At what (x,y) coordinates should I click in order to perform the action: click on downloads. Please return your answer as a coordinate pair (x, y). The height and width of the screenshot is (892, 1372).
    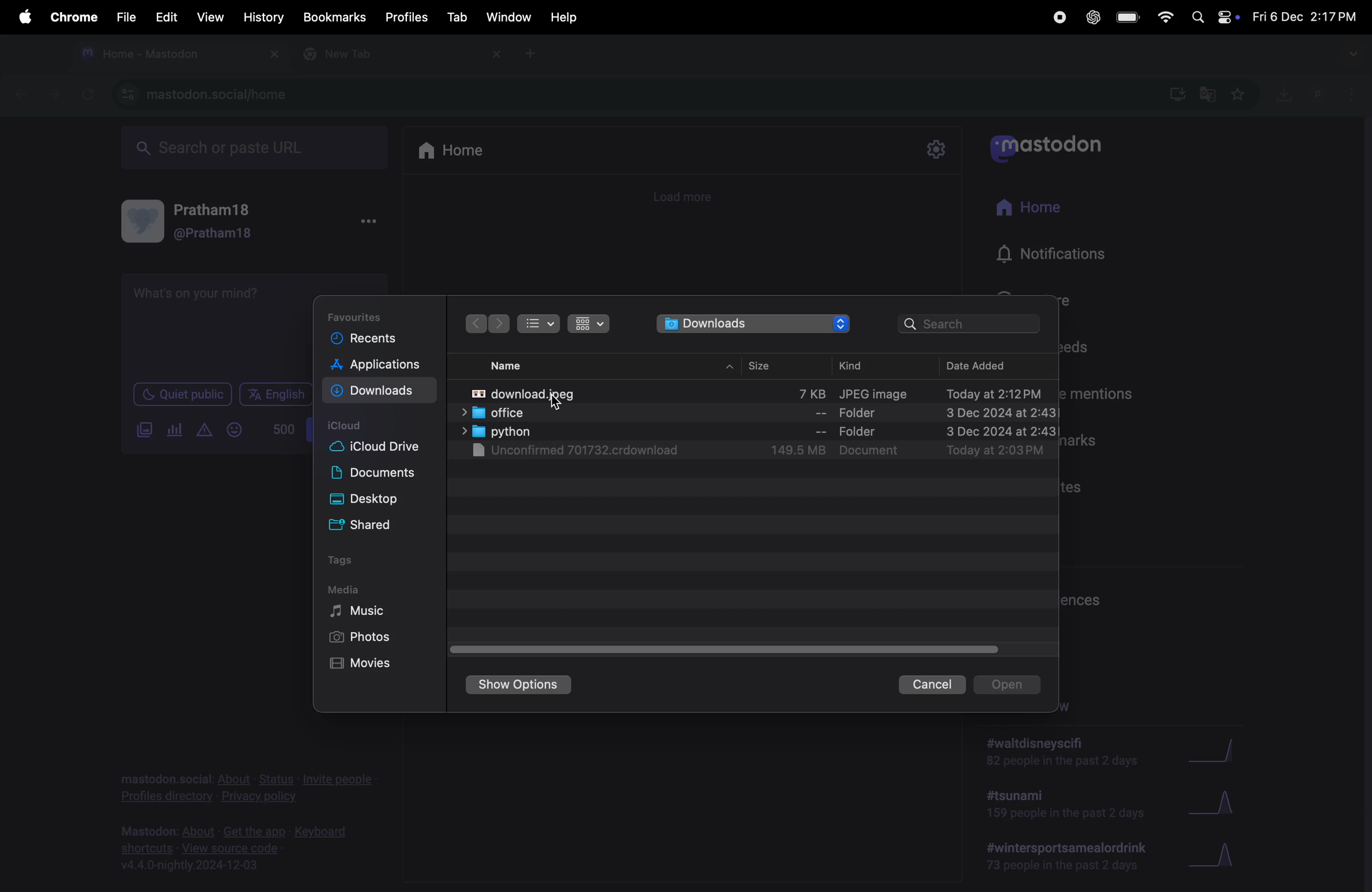
    Looking at the image, I should click on (1284, 92).